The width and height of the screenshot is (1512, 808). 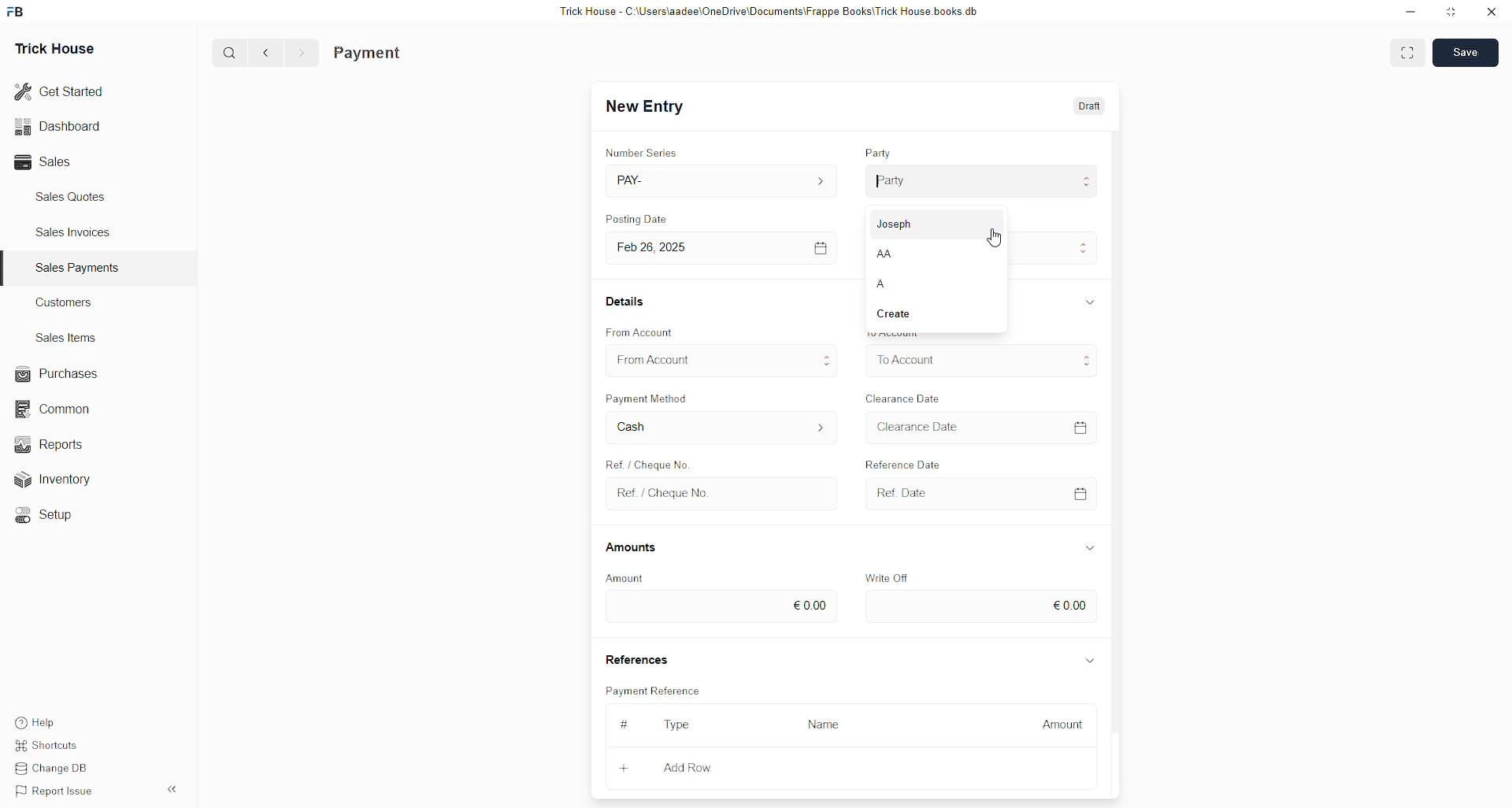 What do you see at coordinates (17, 12) in the screenshot?
I see `logo` at bounding box center [17, 12].